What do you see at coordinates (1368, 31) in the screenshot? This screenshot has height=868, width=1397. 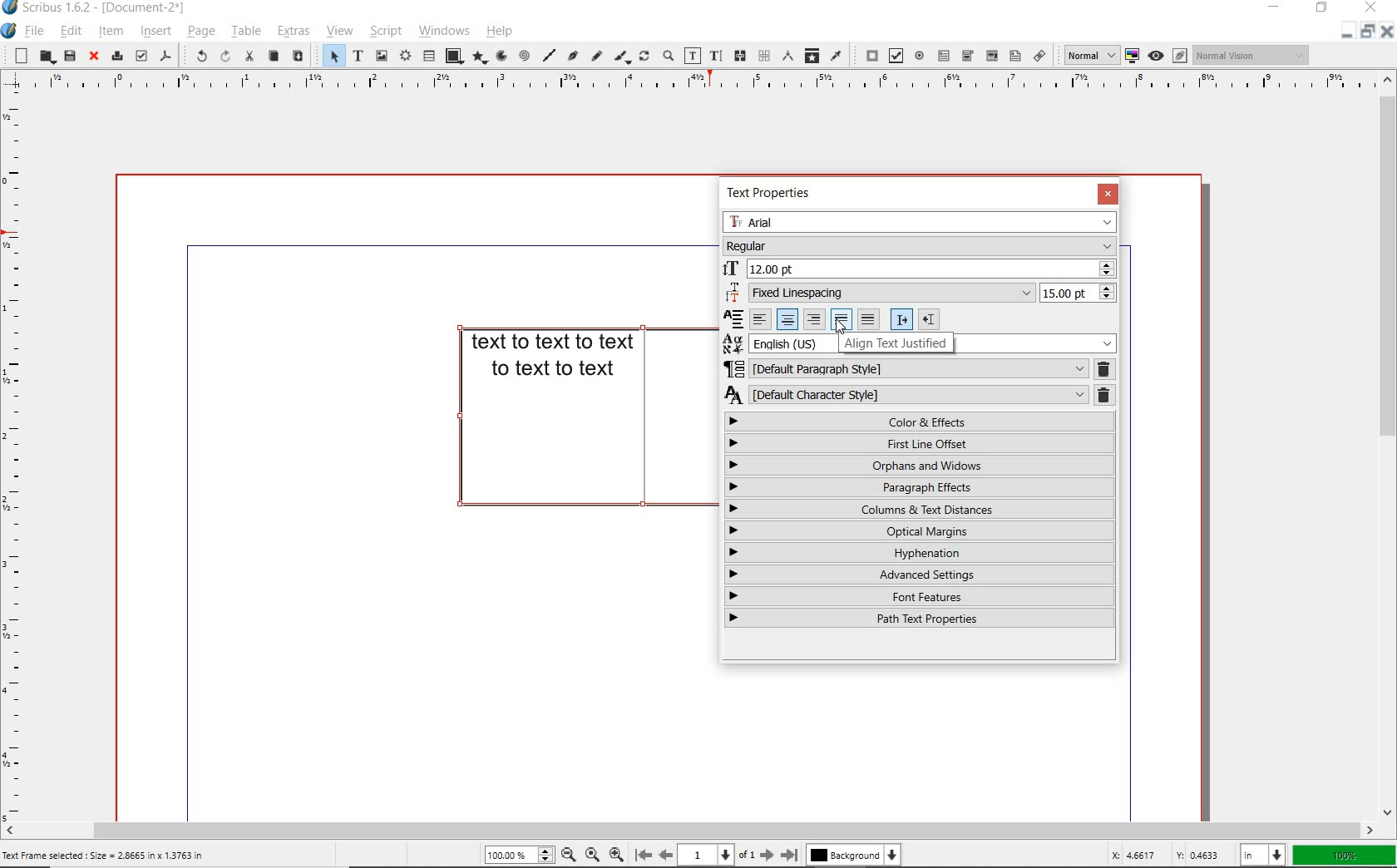 I see `minimize/restore/close document` at bounding box center [1368, 31].